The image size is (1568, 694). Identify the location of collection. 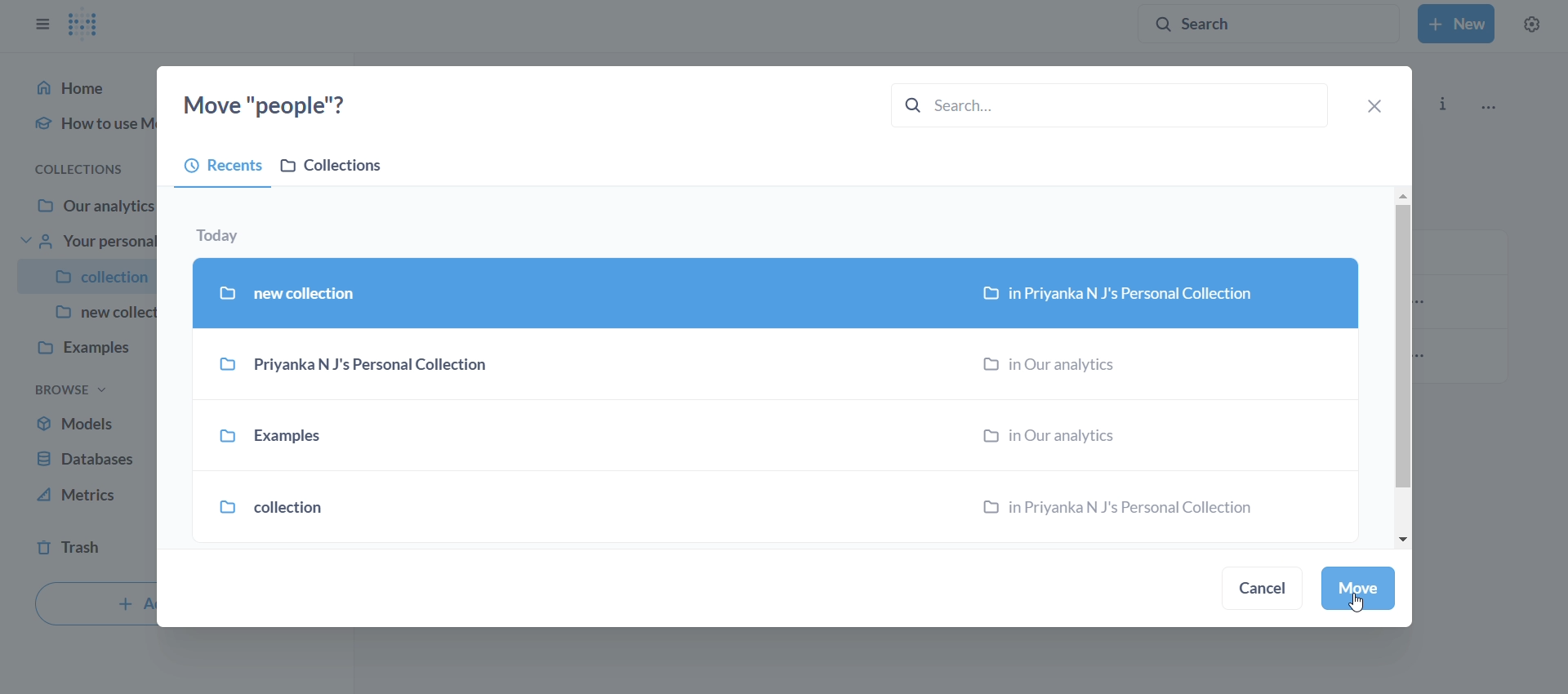
(82, 277).